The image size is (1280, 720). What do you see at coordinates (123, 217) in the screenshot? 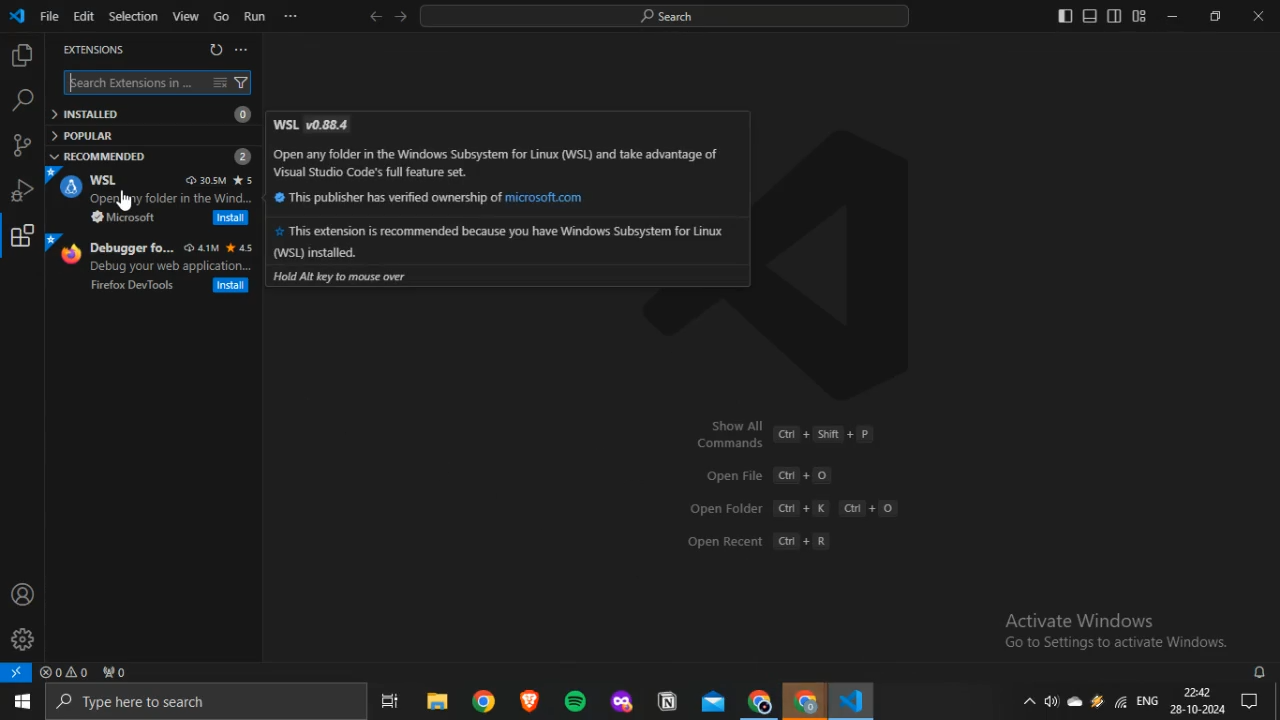
I see `Microsoft` at bounding box center [123, 217].